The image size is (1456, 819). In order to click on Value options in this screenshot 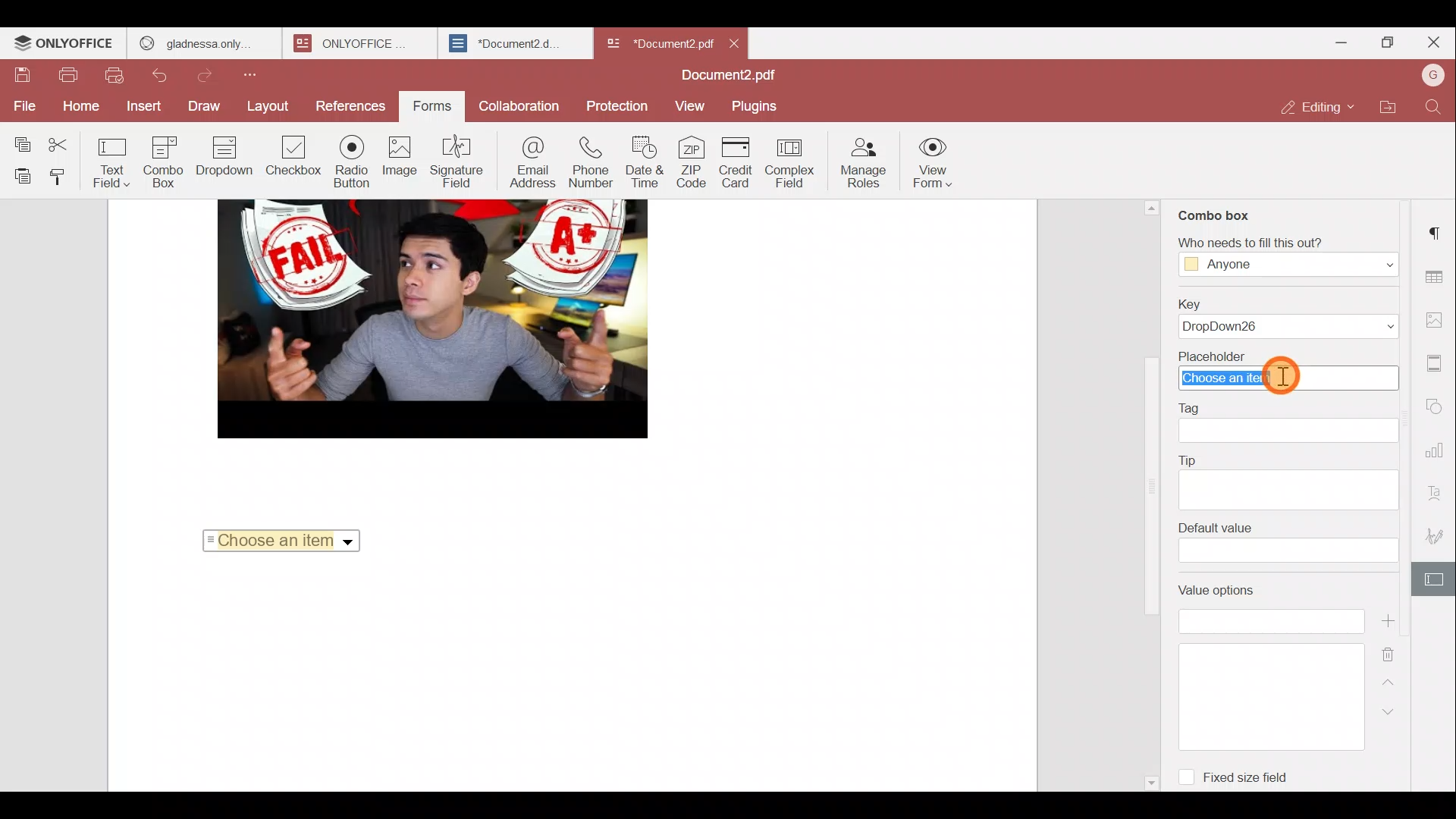, I will do `click(1260, 667)`.